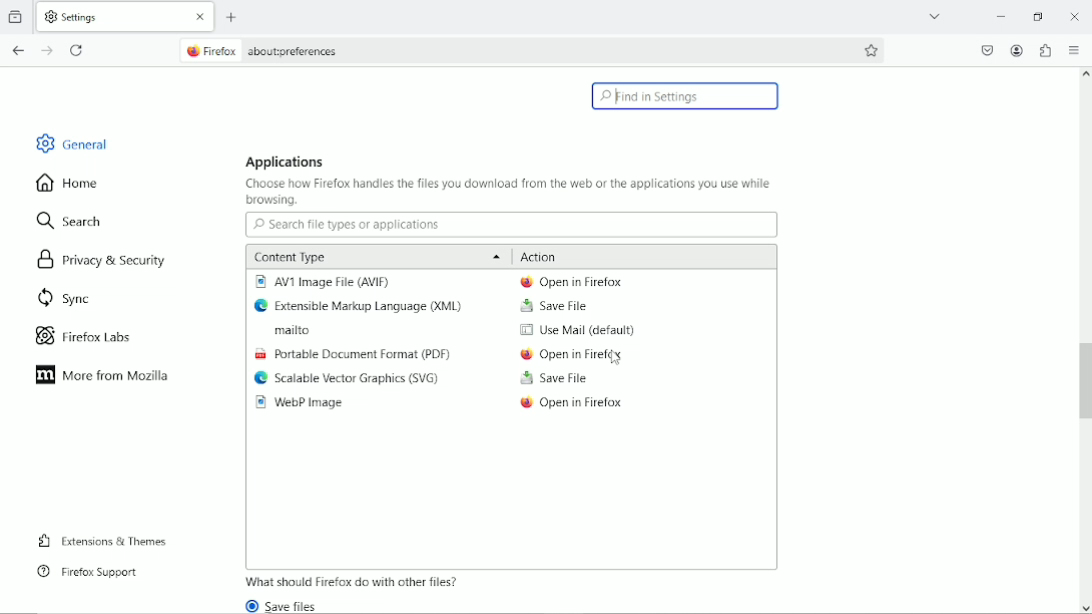  Describe the element at coordinates (687, 96) in the screenshot. I see `find in settings` at that location.